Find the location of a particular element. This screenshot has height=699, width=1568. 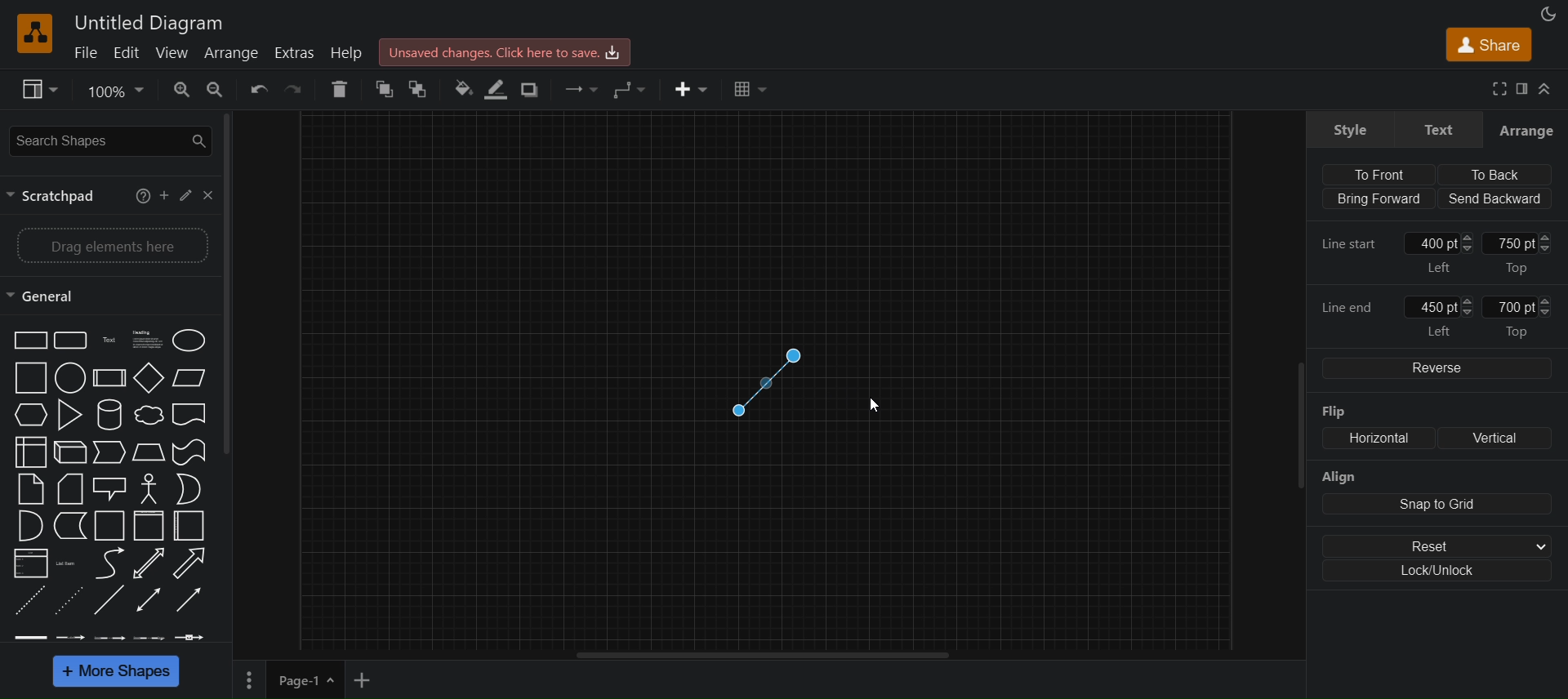

extras is located at coordinates (294, 53).